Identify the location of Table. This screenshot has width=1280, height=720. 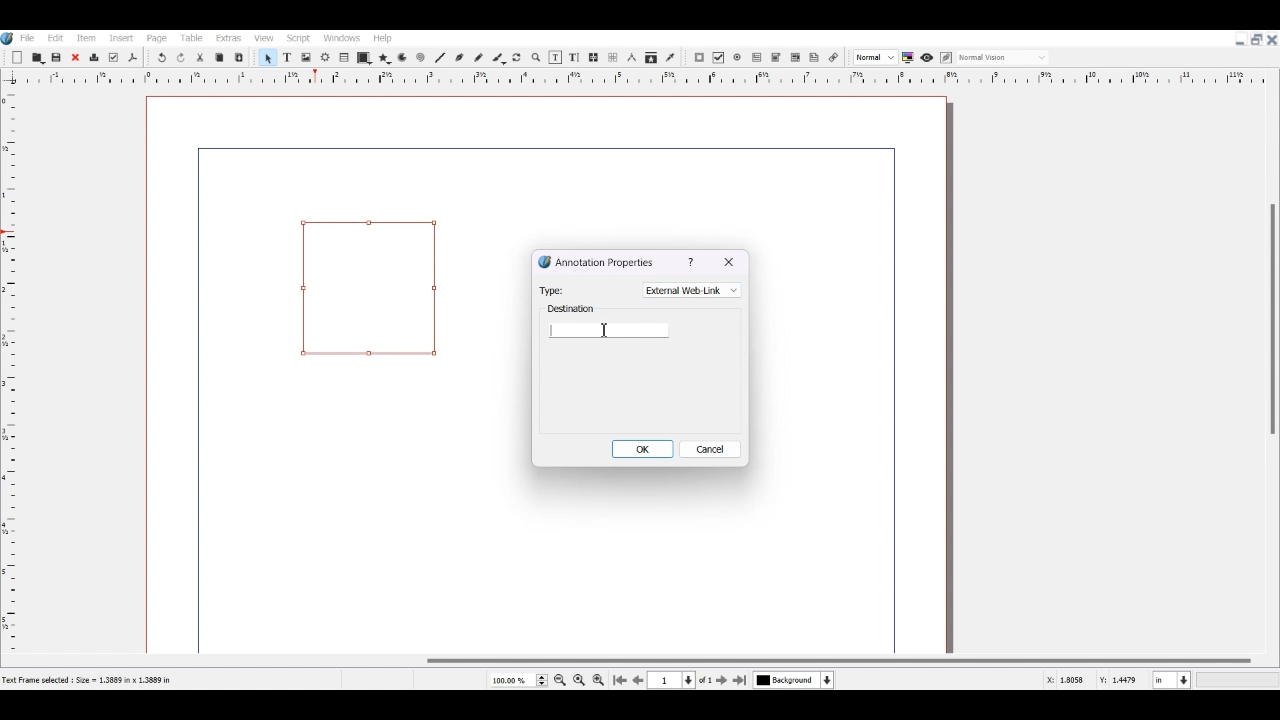
(345, 58).